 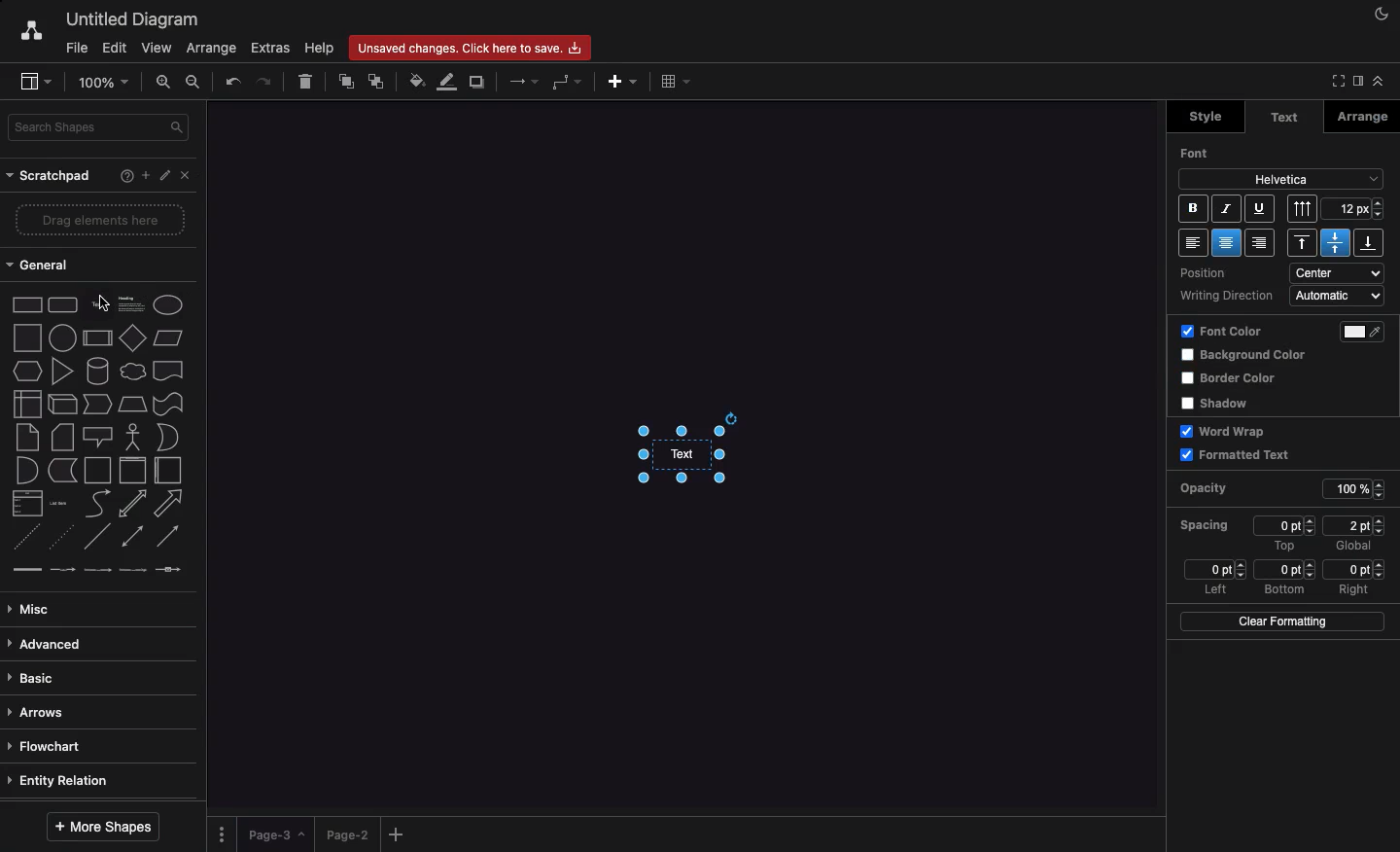 I want to click on Night mode on, so click(x=1380, y=15).